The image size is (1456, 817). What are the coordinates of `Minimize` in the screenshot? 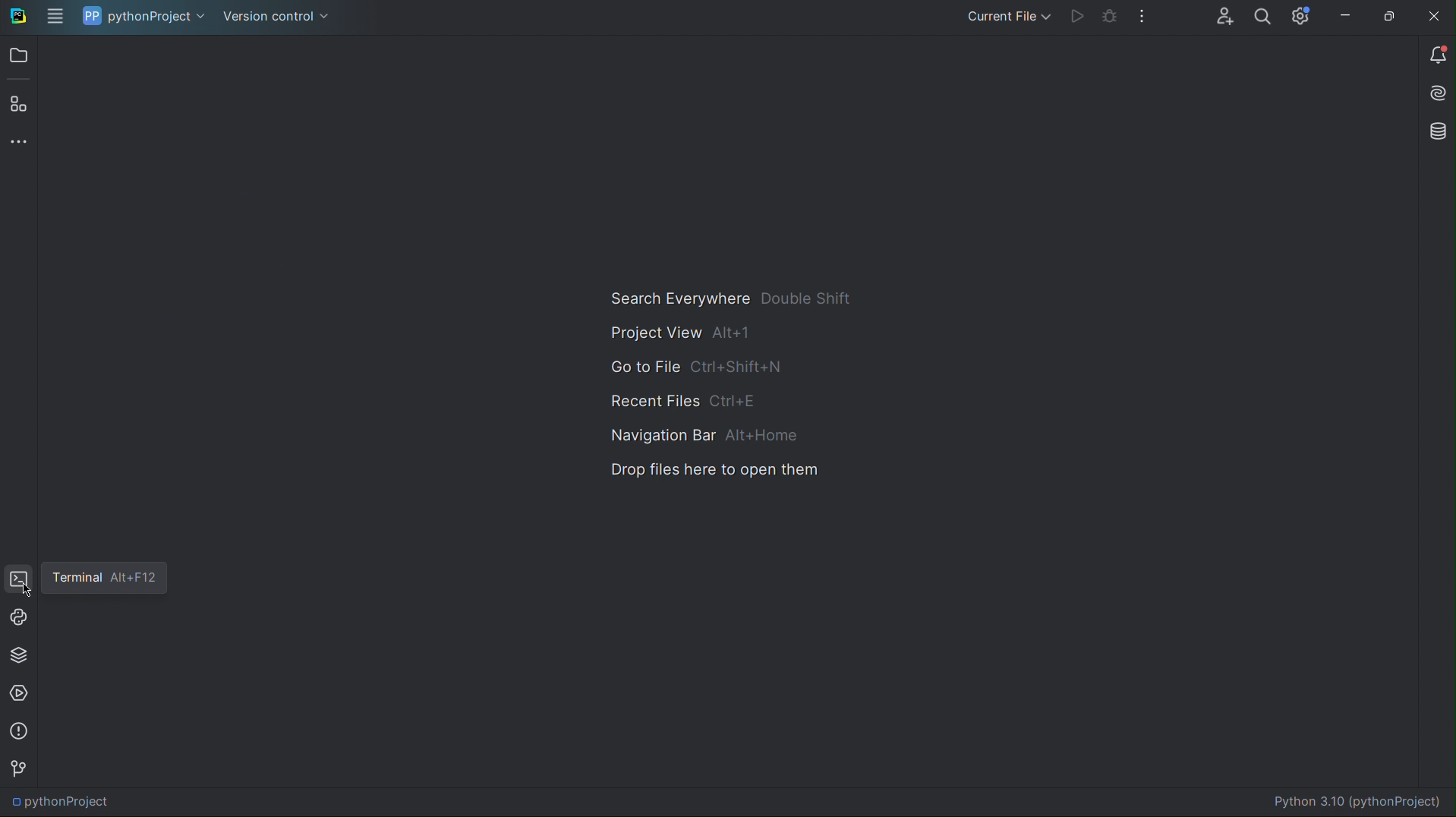 It's located at (1345, 17).